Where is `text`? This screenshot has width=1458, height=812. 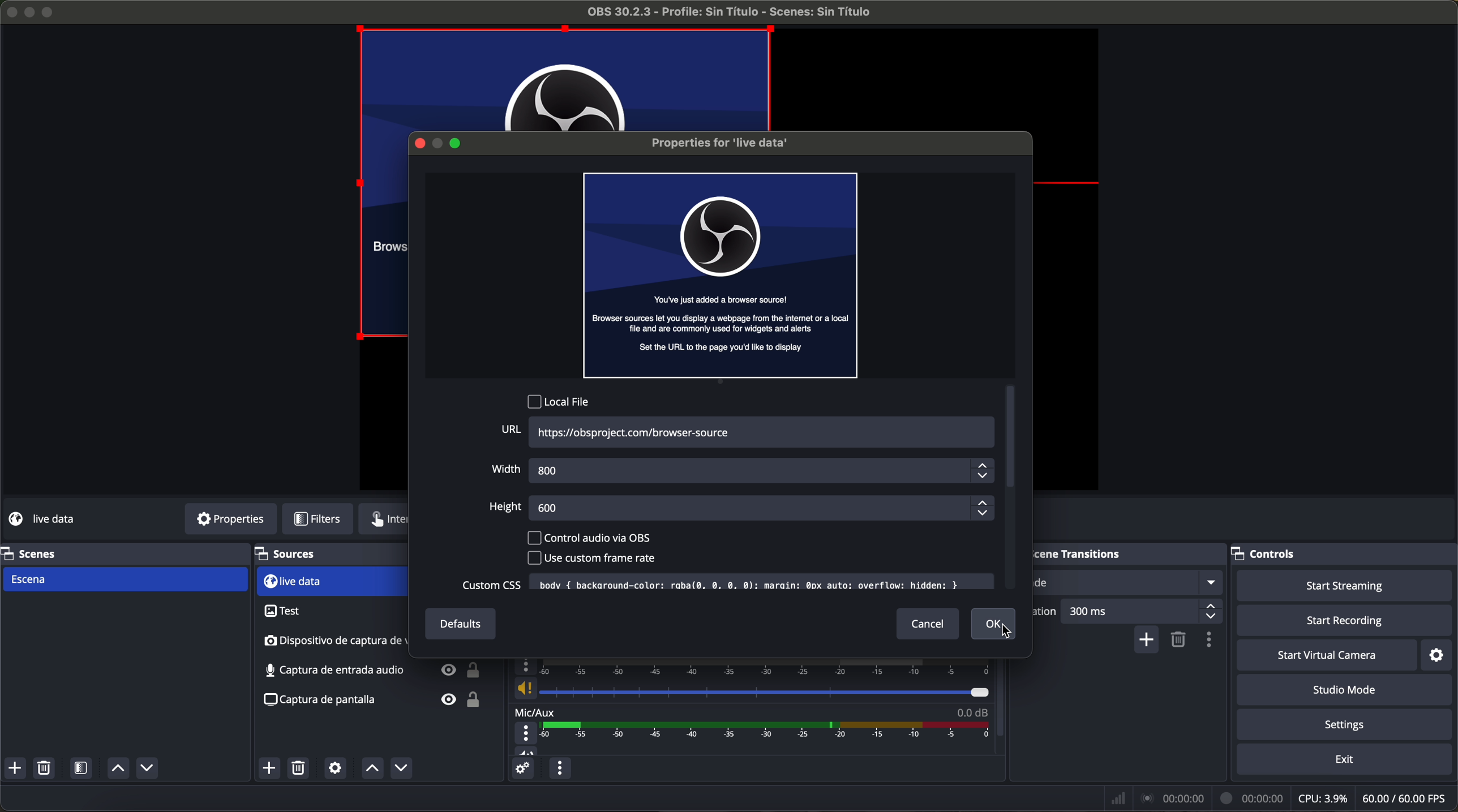
text is located at coordinates (762, 582).